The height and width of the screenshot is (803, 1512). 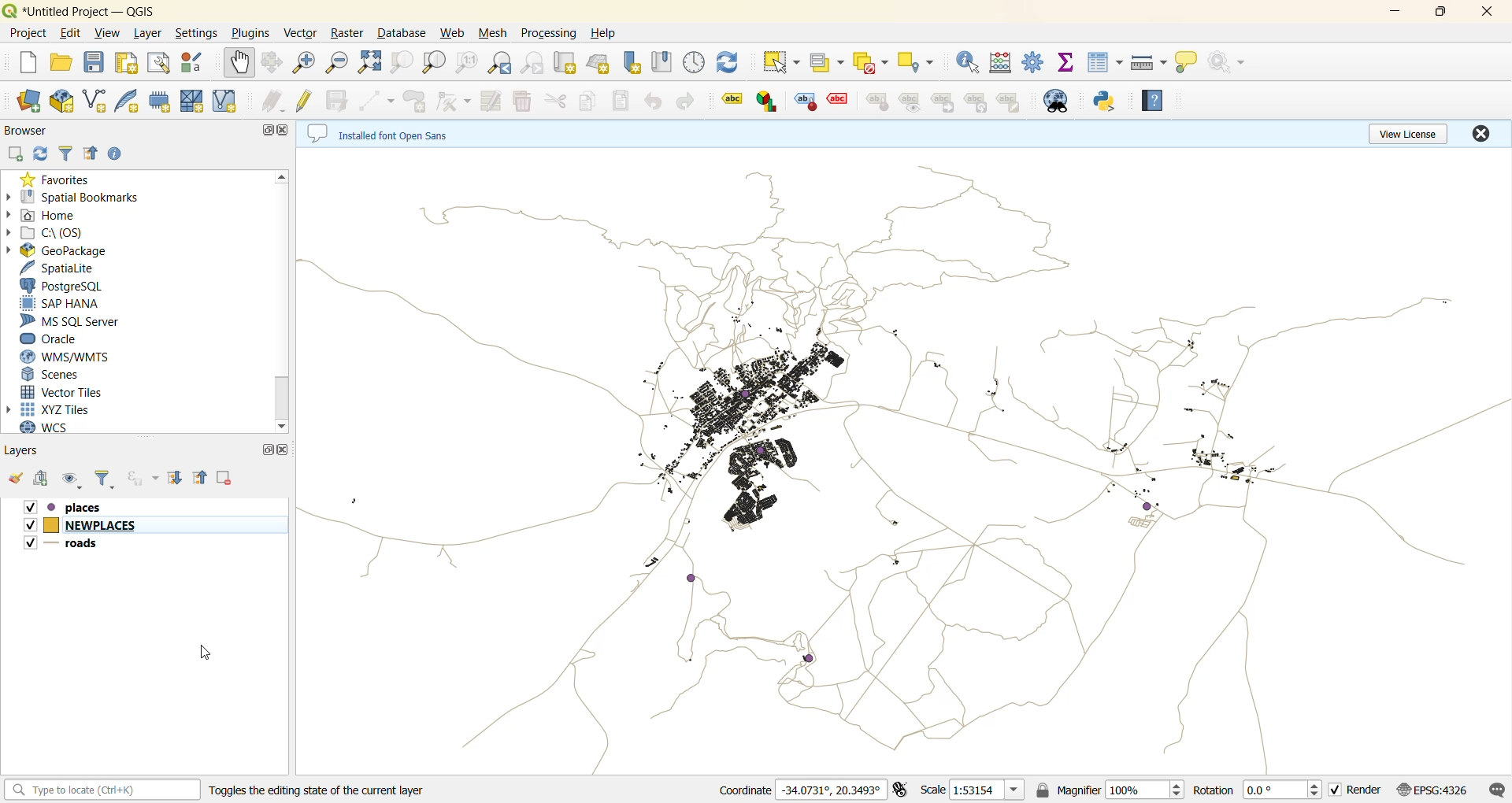 I want to click on modify, so click(x=496, y=99).